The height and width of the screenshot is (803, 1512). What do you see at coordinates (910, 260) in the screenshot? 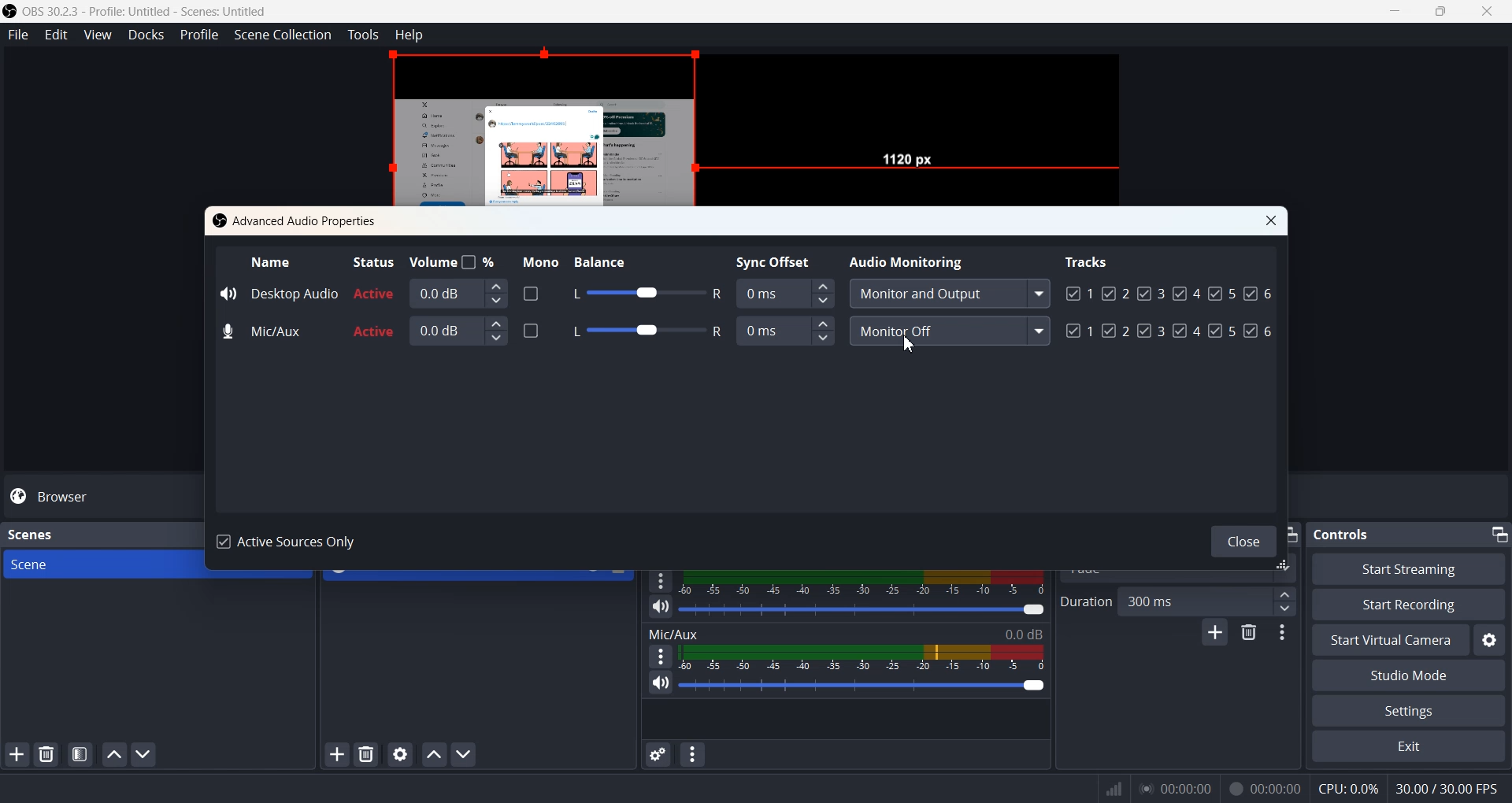
I see `Audio Monitoring` at bounding box center [910, 260].